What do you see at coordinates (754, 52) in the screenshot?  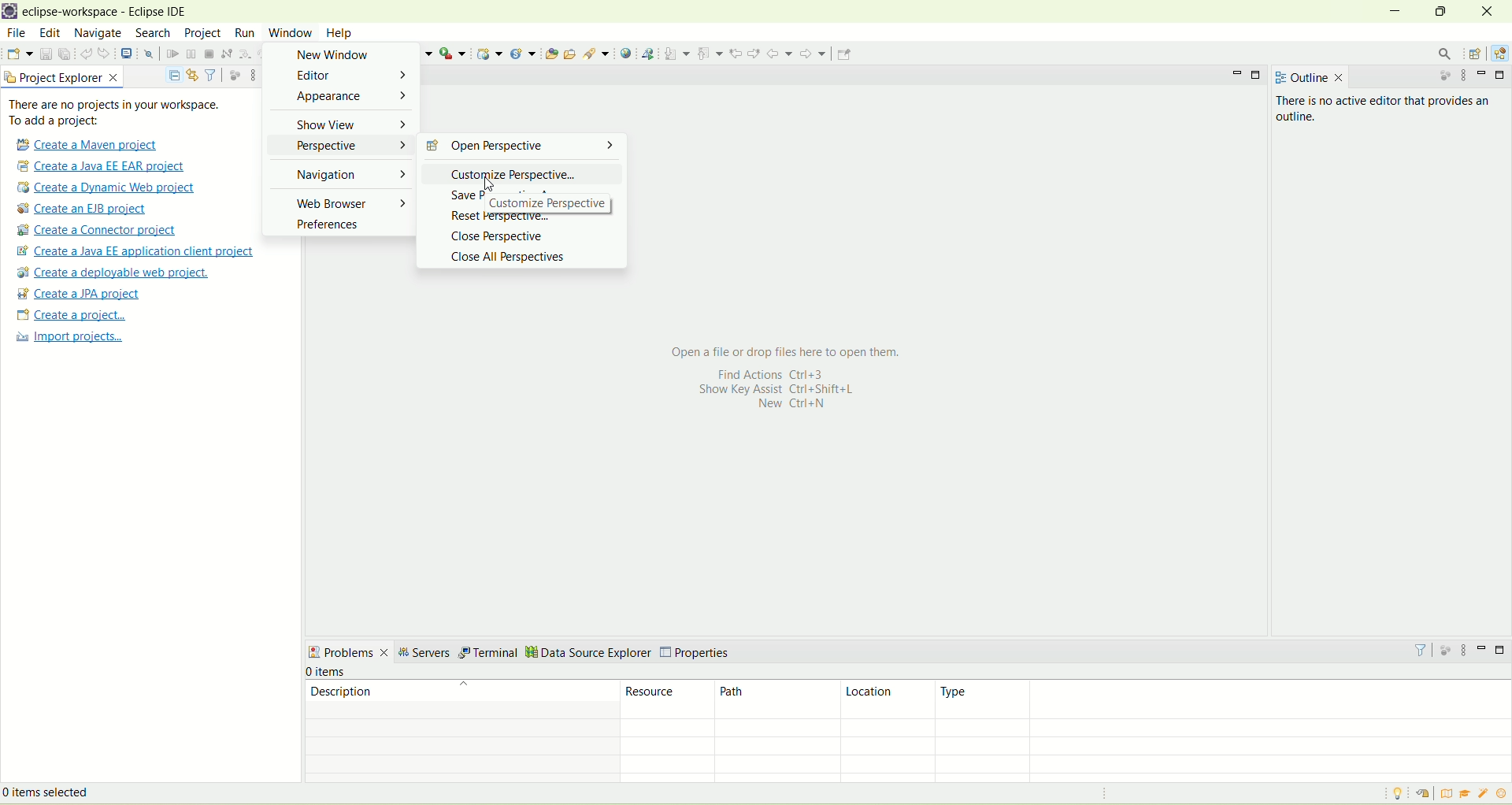 I see `next edit location` at bounding box center [754, 52].